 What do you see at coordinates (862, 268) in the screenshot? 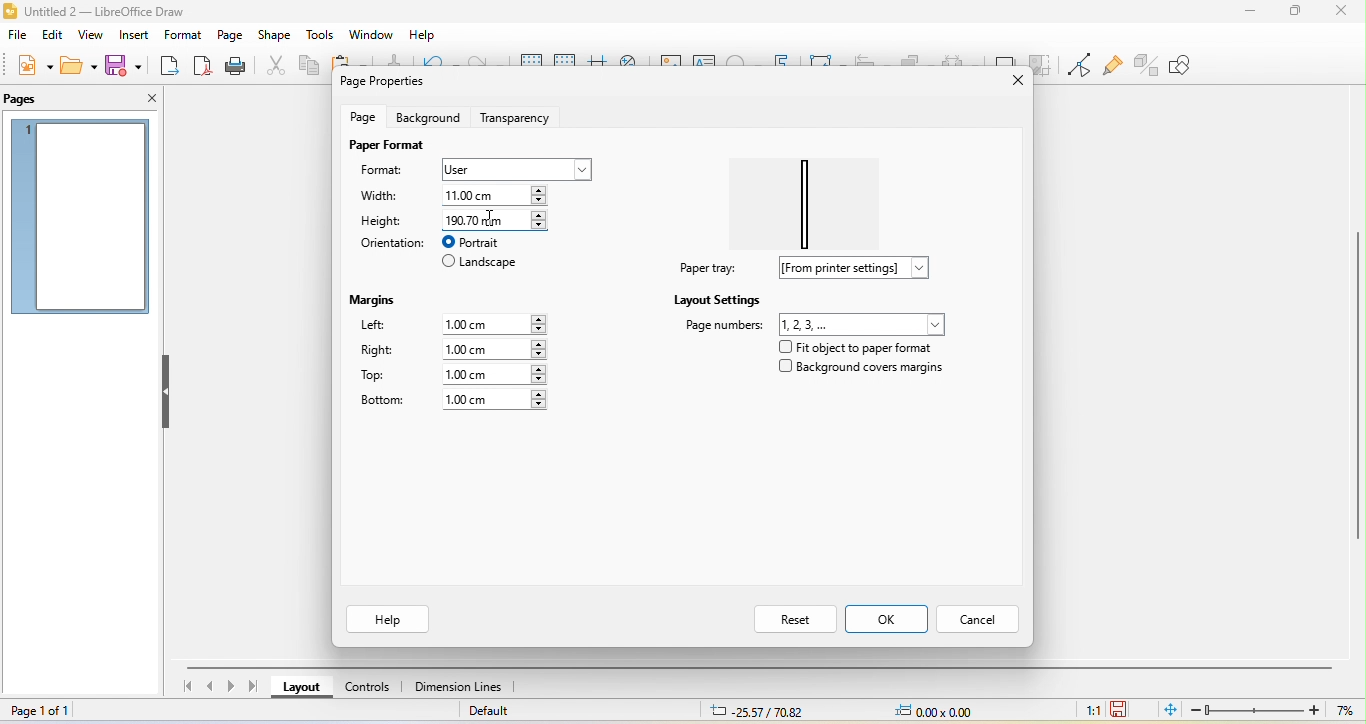
I see `from printer settings` at bounding box center [862, 268].